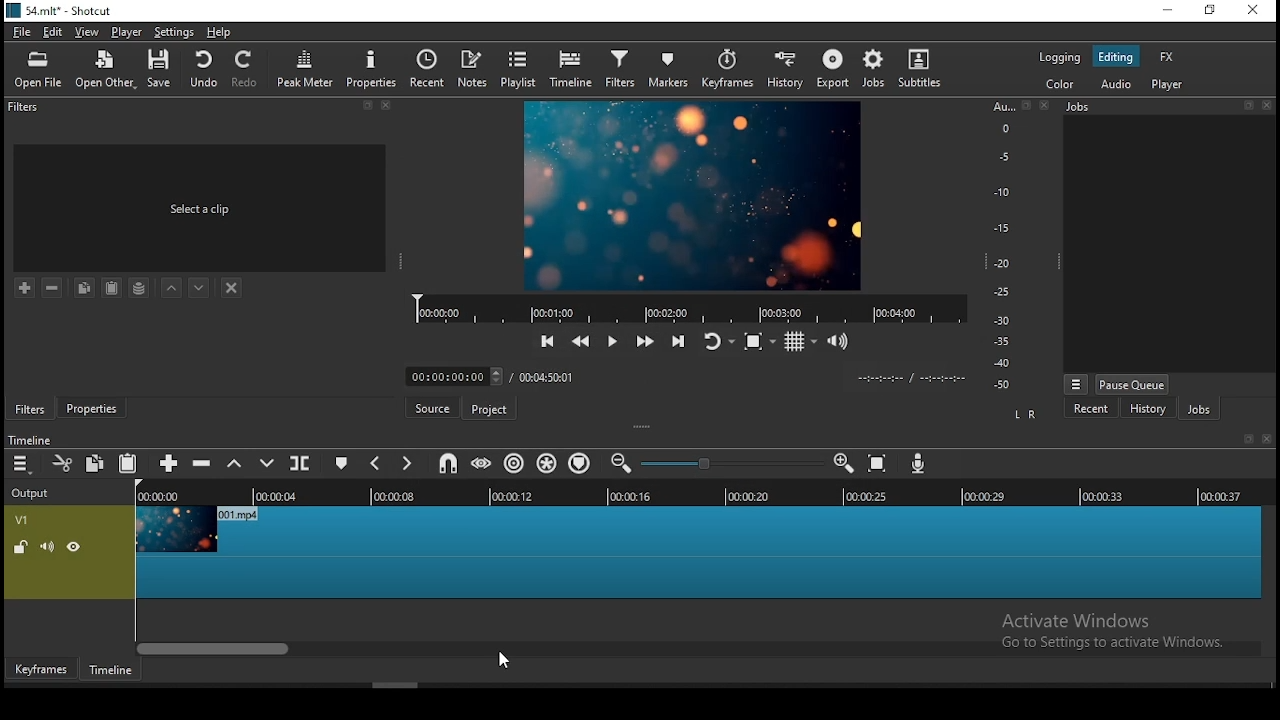  I want to click on 00:00:33, so click(1103, 495).